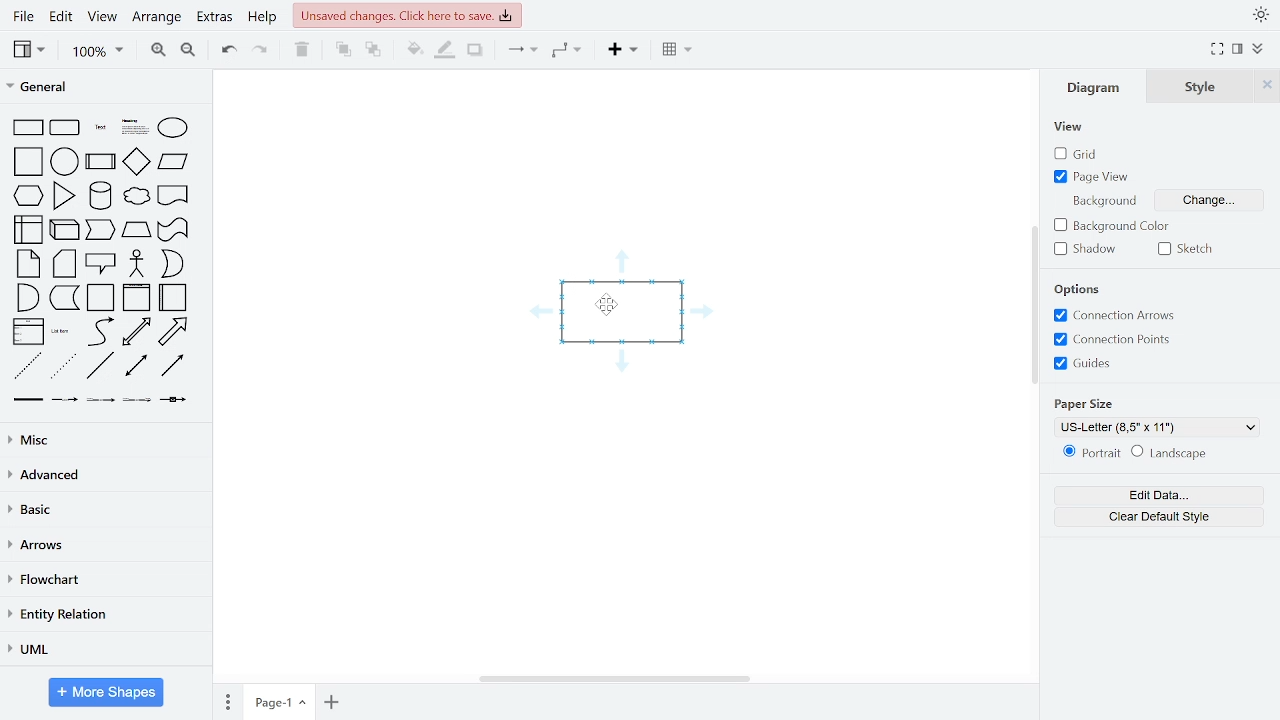 This screenshot has height=720, width=1280. Describe the element at coordinates (1185, 250) in the screenshot. I see `sketch` at that location.